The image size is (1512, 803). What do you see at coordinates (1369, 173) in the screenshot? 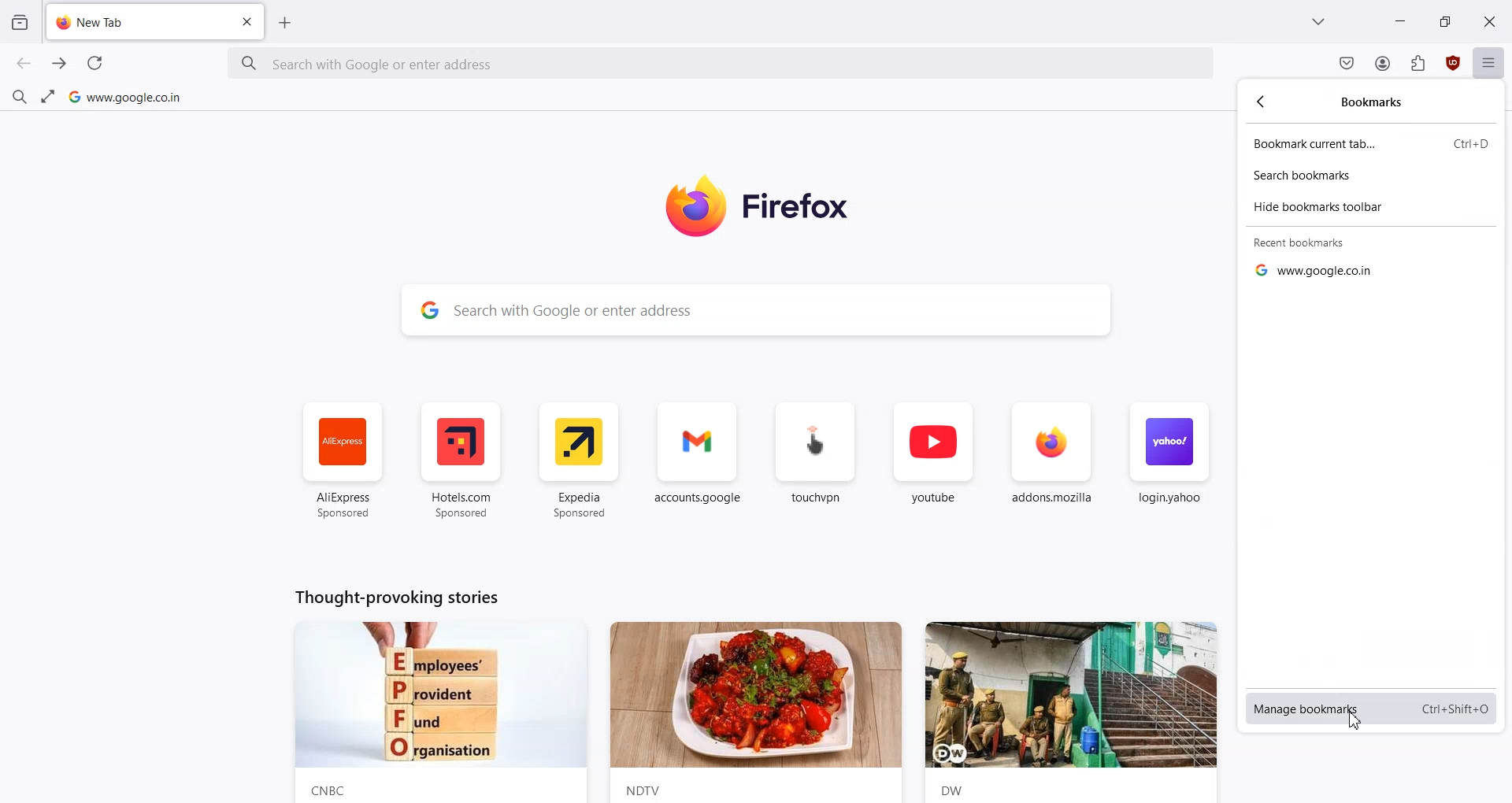
I see `Search bookmarks` at bounding box center [1369, 173].